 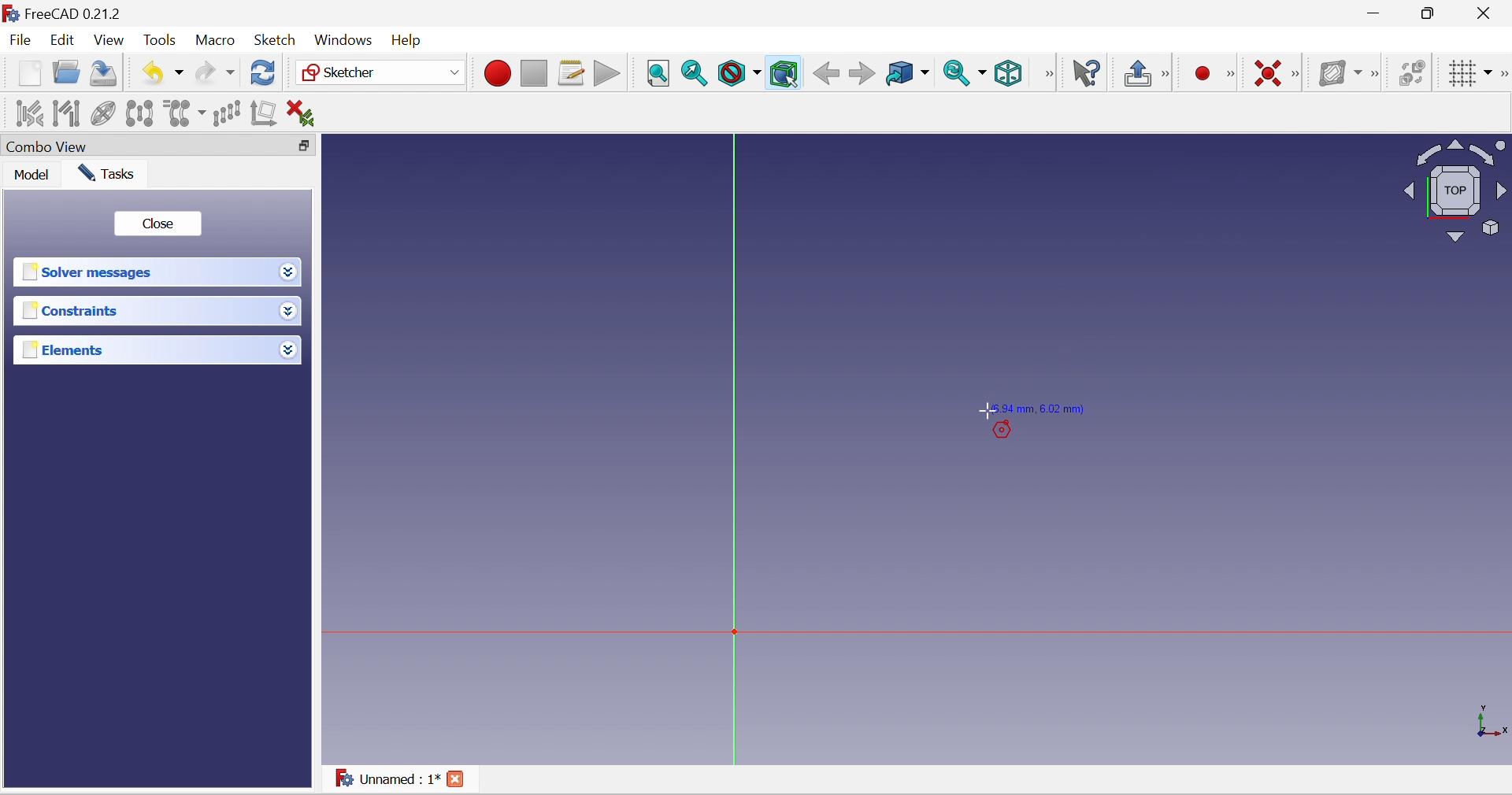 What do you see at coordinates (1488, 720) in the screenshot?
I see `x, y axis` at bounding box center [1488, 720].